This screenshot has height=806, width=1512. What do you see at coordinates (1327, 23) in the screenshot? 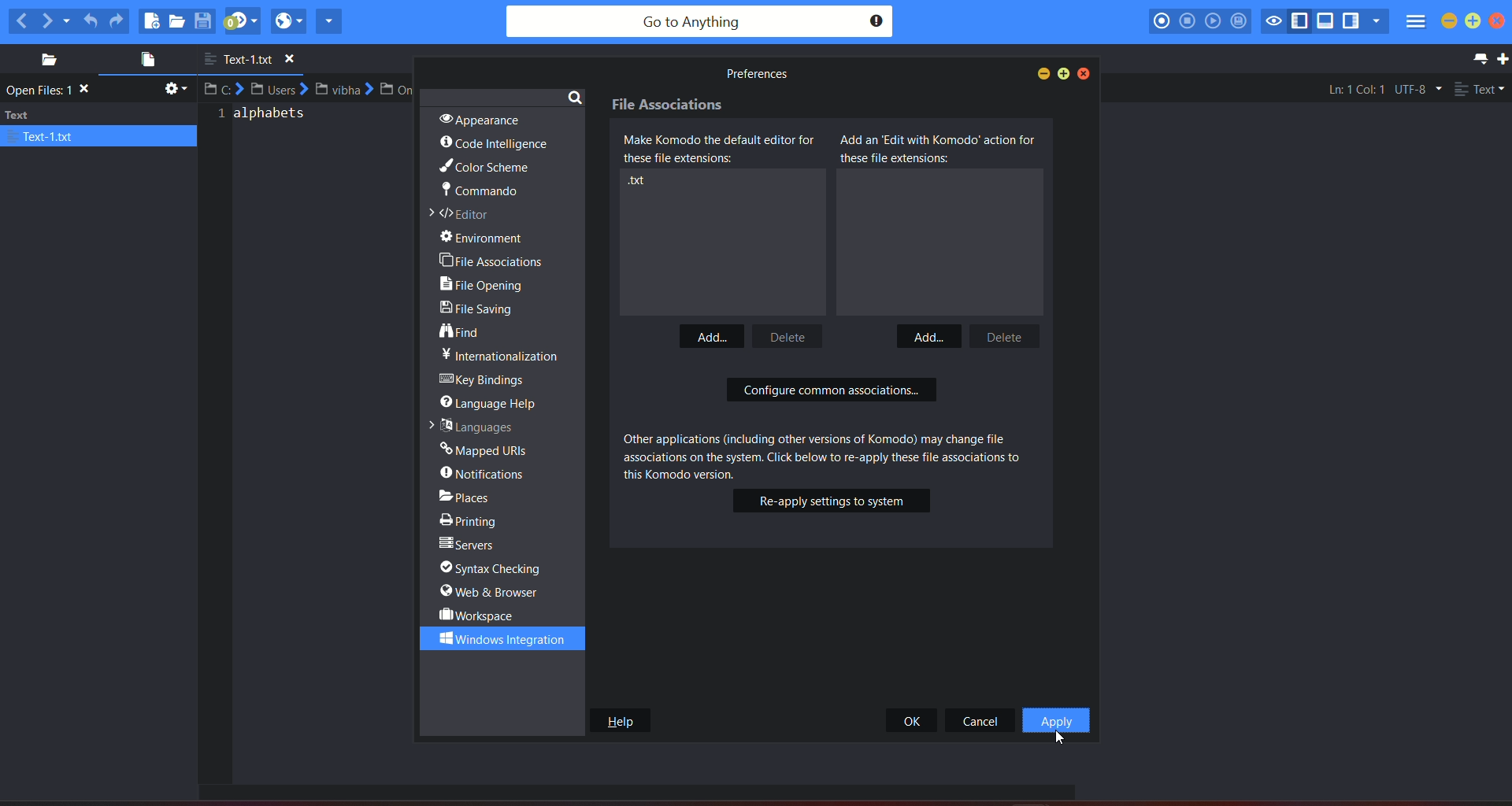
I see `show/hide bottom pane` at bounding box center [1327, 23].